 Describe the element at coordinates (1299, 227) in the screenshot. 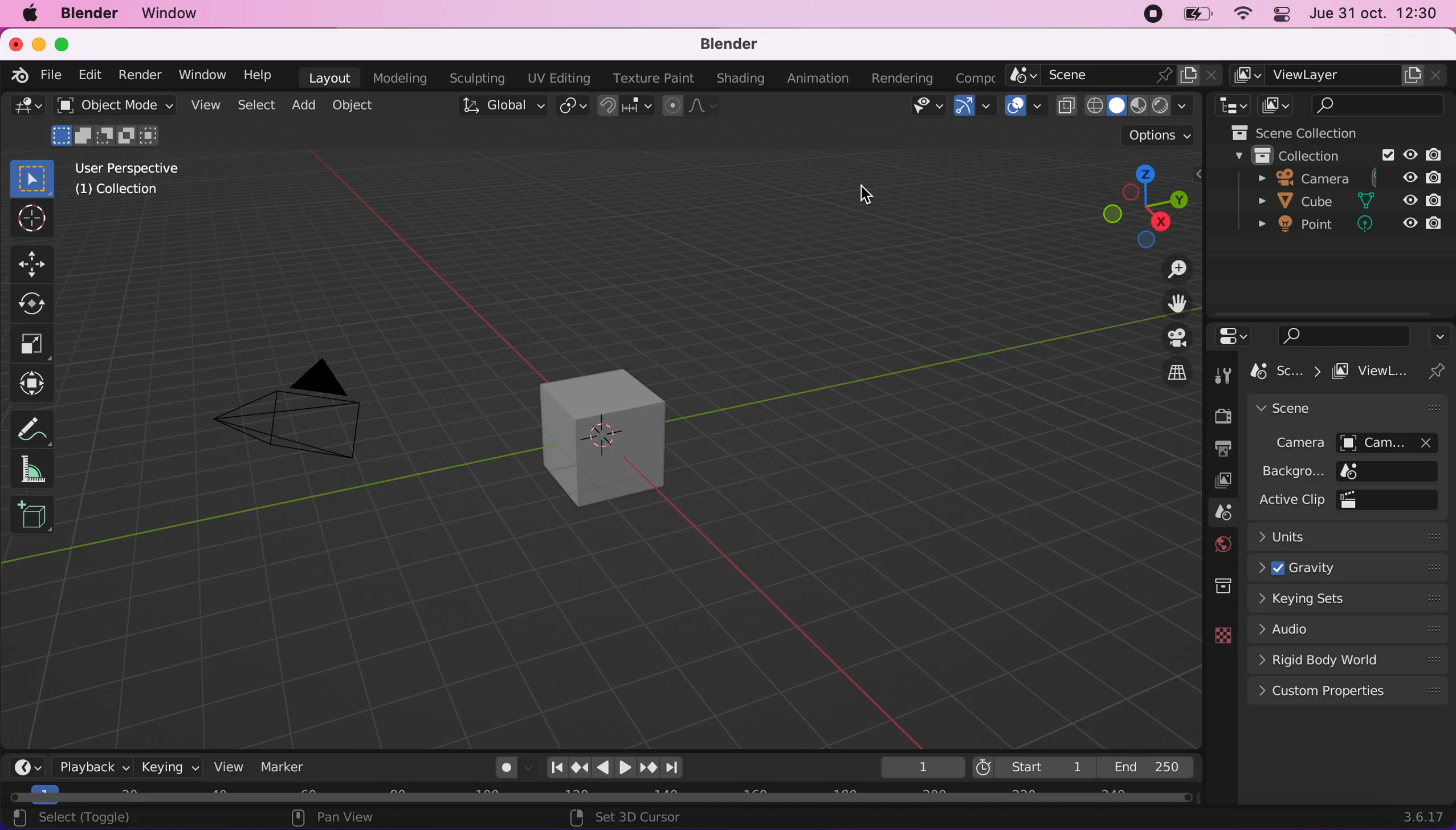

I see `point` at that location.